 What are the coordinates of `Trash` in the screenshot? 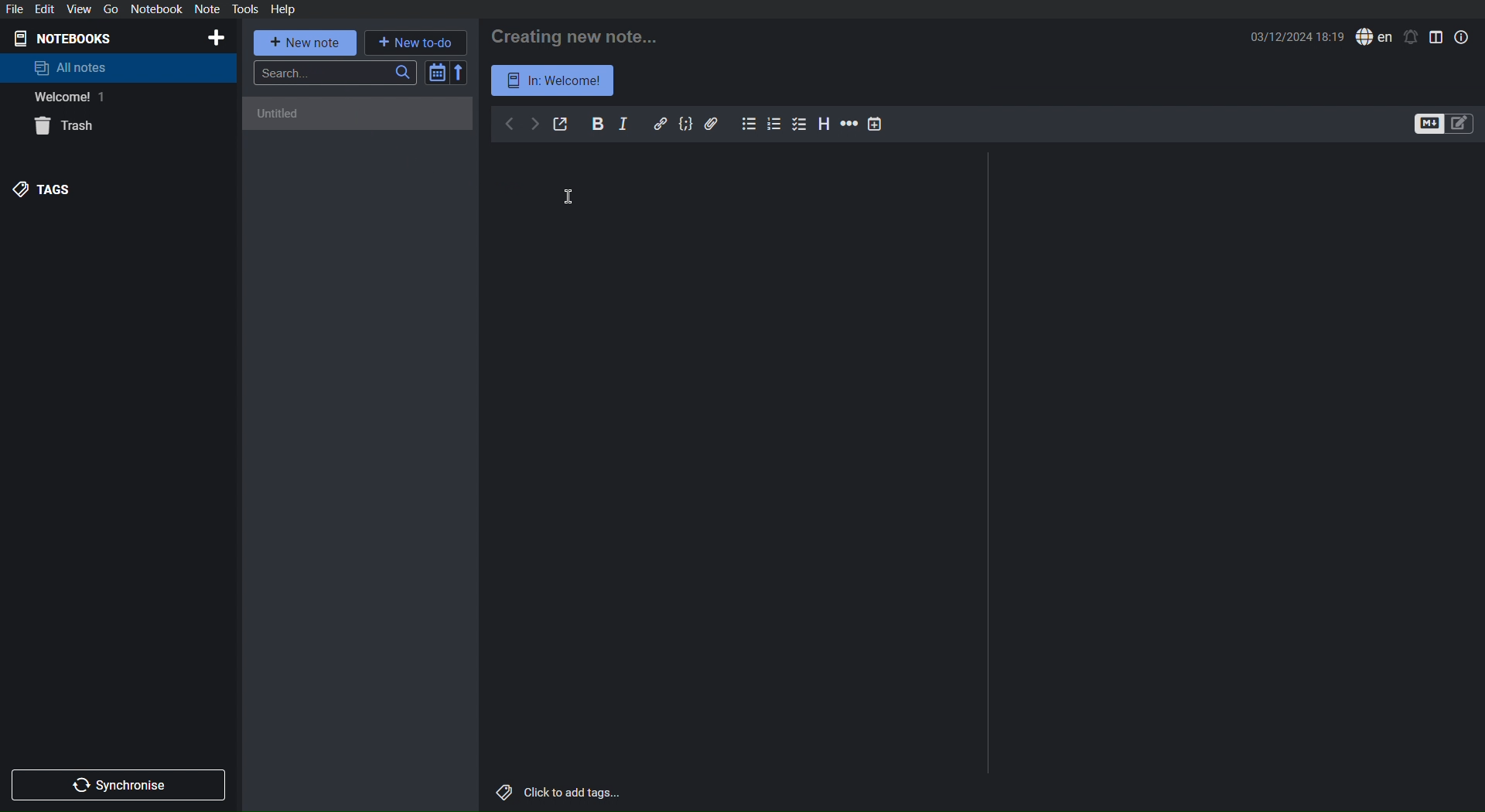 It's located at (68, 128).